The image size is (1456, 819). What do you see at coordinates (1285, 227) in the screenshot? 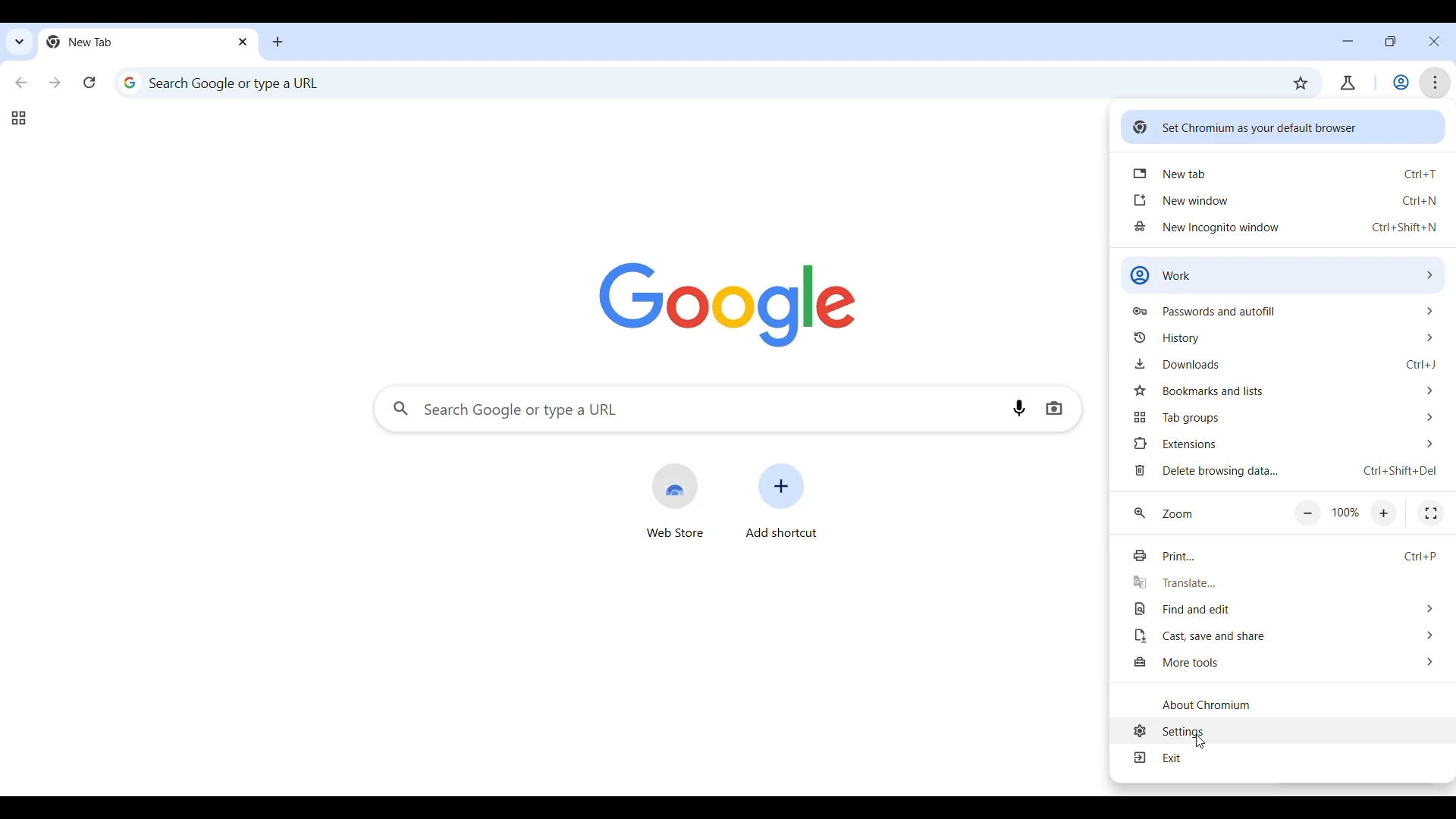
I see `Open new incognito window` at bounding box center [1285, 227].